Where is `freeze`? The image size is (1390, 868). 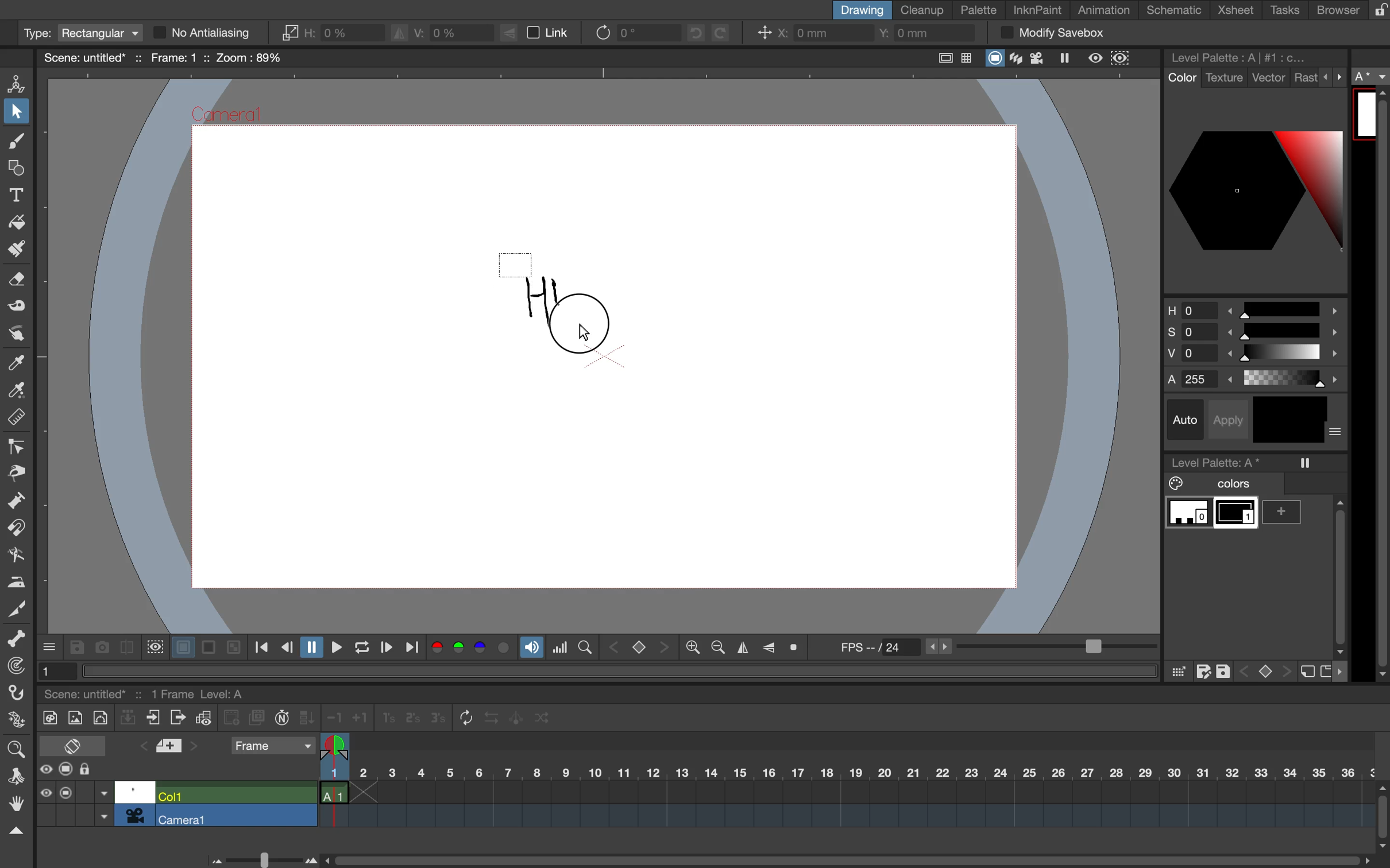
freeze is located at coordinates (1306, 463).